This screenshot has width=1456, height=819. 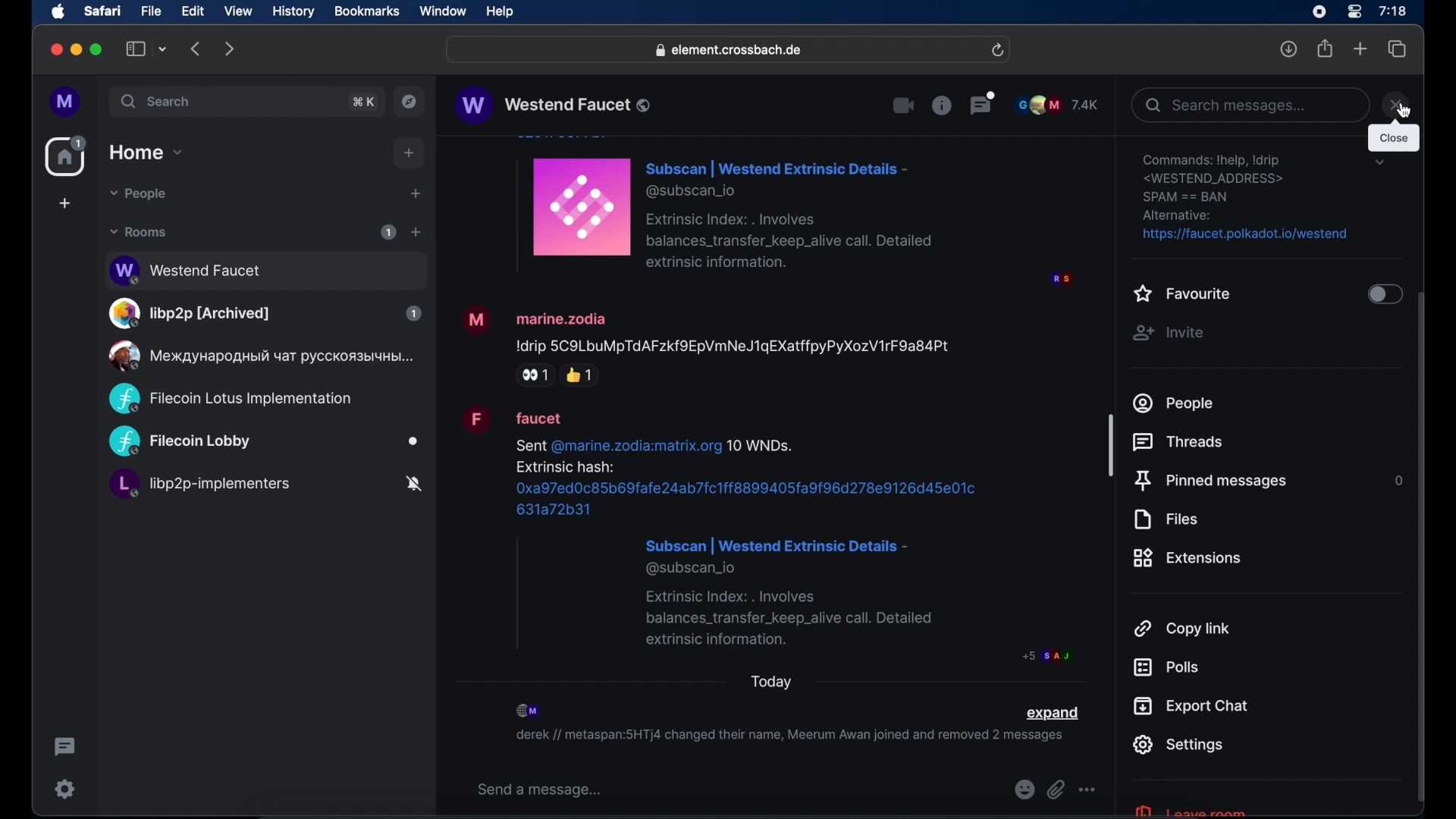 What do you see at coordinates (1398, 49) in the screenshot?
I see `show tab overview` at bounding box center [1398, 49].